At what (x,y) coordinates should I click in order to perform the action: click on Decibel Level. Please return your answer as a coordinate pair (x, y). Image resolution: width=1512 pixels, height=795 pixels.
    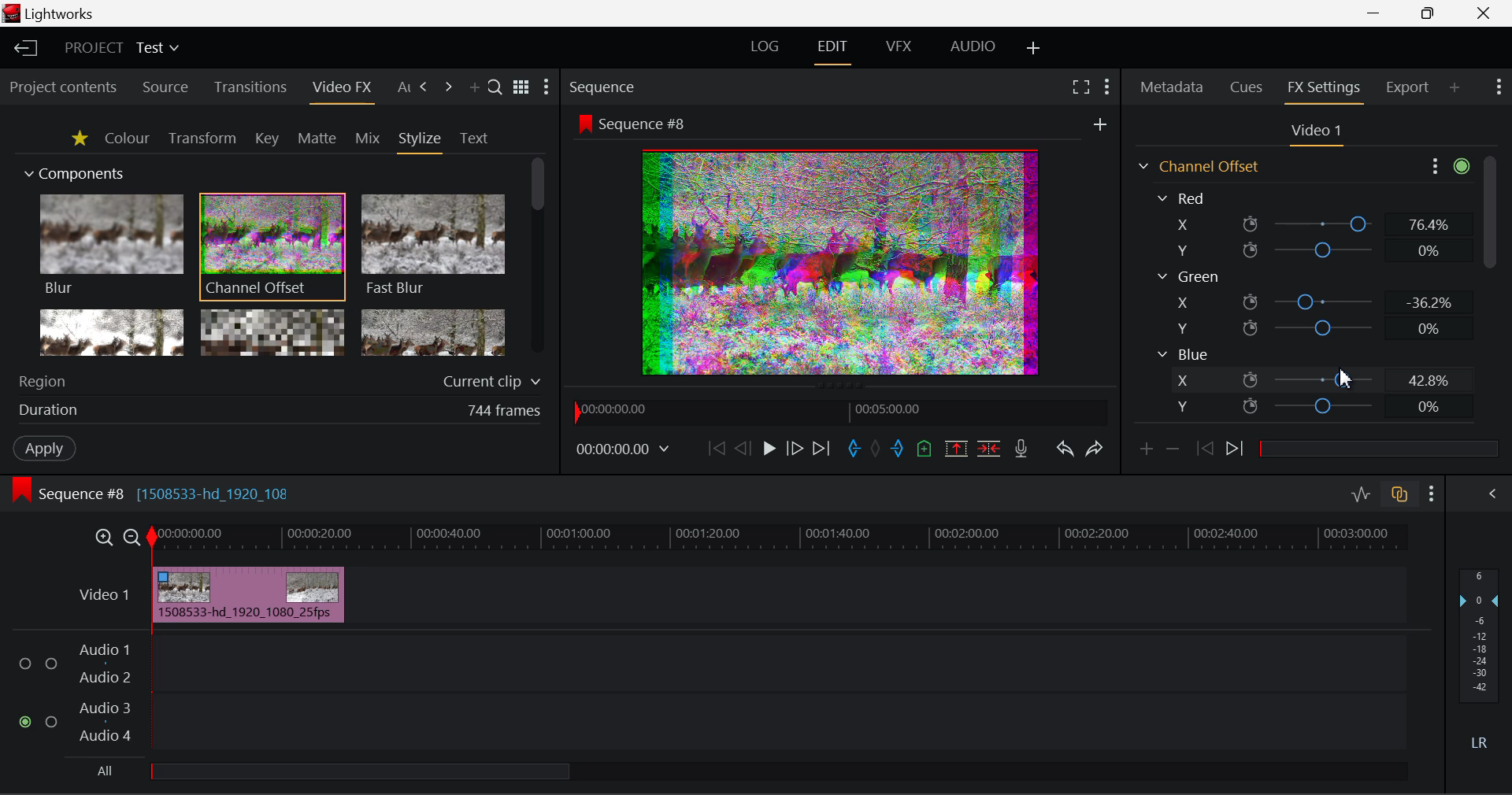
    Looking at the image, I should click on (1480, 657).